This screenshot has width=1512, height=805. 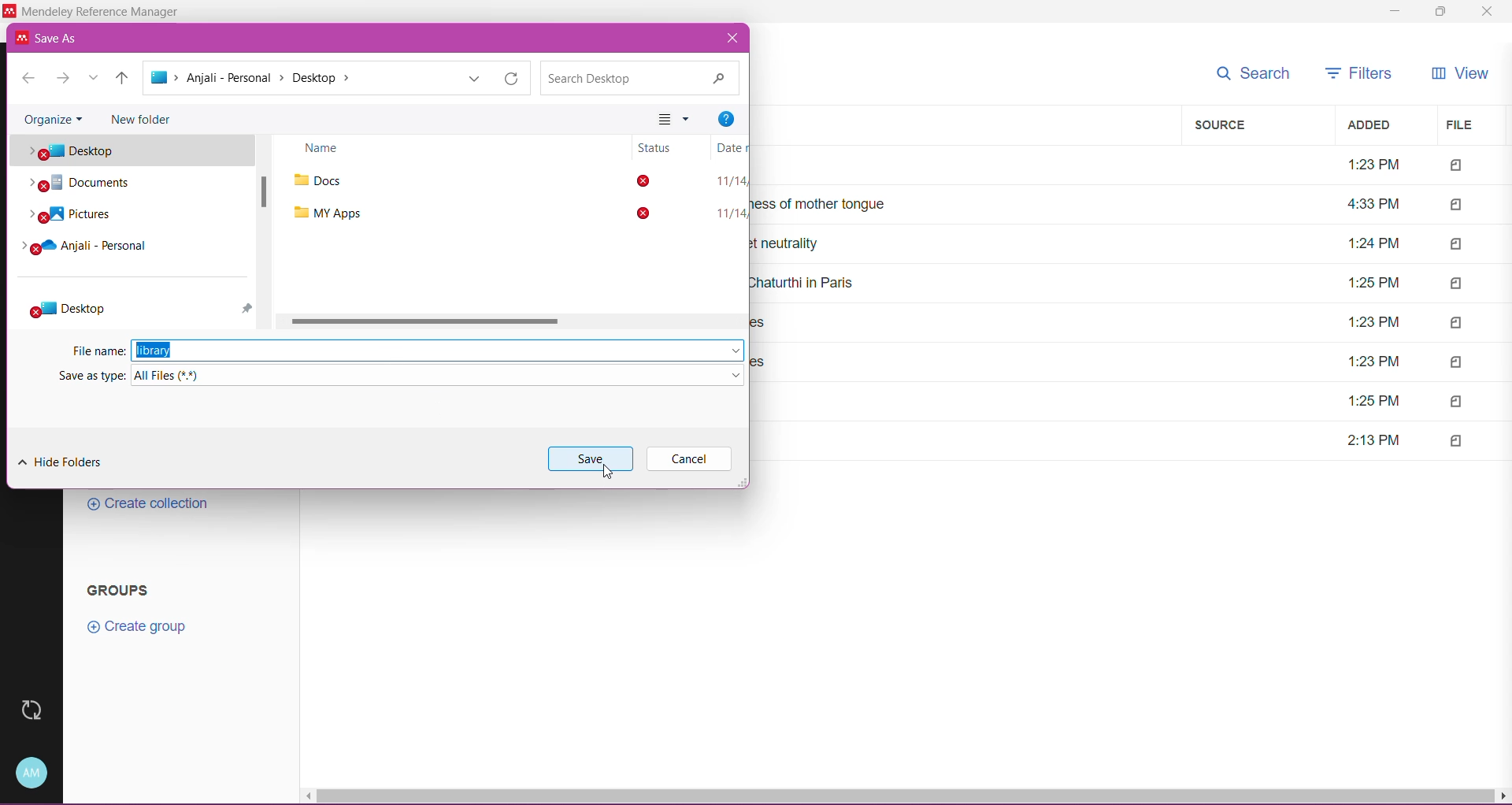 What do you see at coordinates (591, 458) in the screenshot?
I see `Save` at bounding box center [591, 458].